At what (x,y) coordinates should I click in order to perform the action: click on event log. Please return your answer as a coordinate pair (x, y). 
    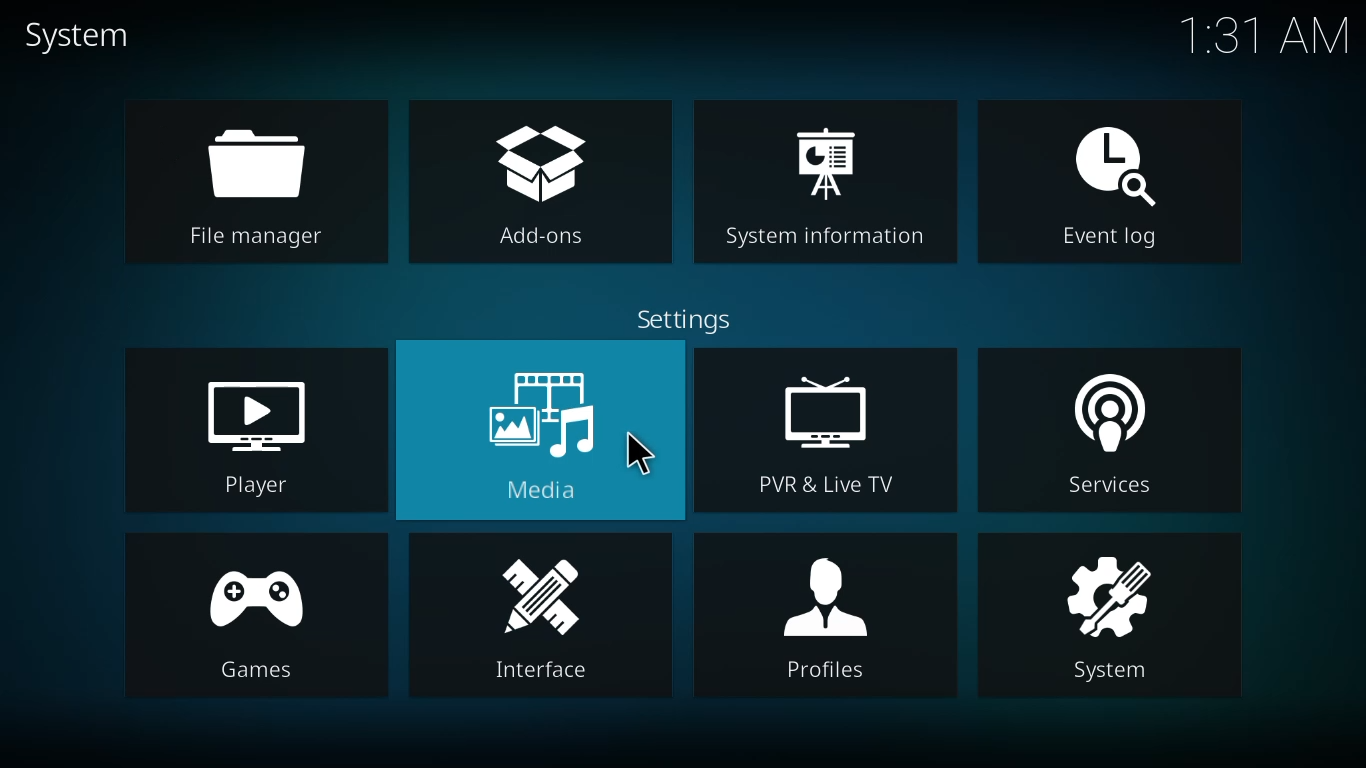
    Looking at the image, I should click on (1114, 179).